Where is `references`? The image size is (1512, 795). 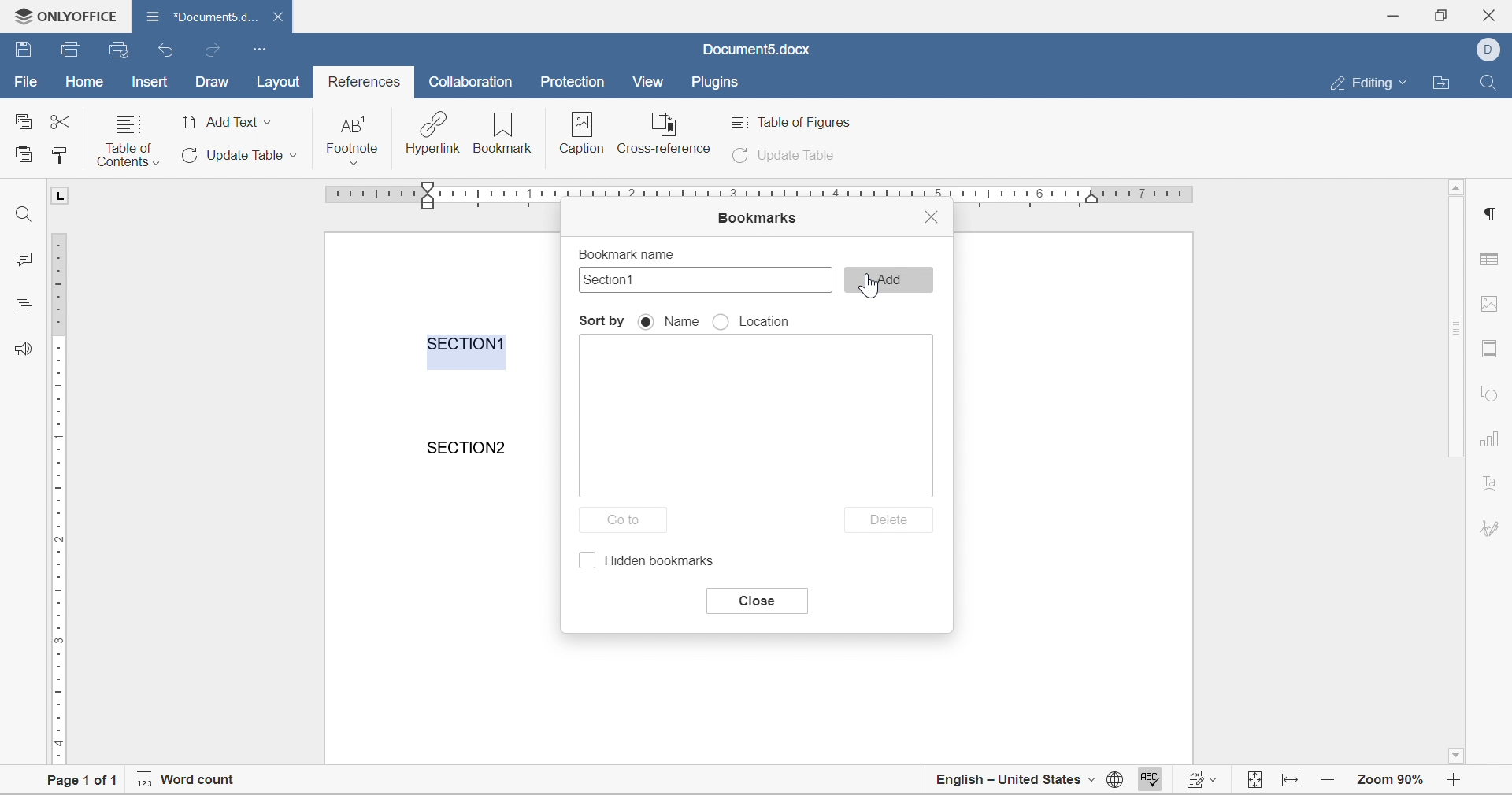
references is located at coordinates (365, 82).